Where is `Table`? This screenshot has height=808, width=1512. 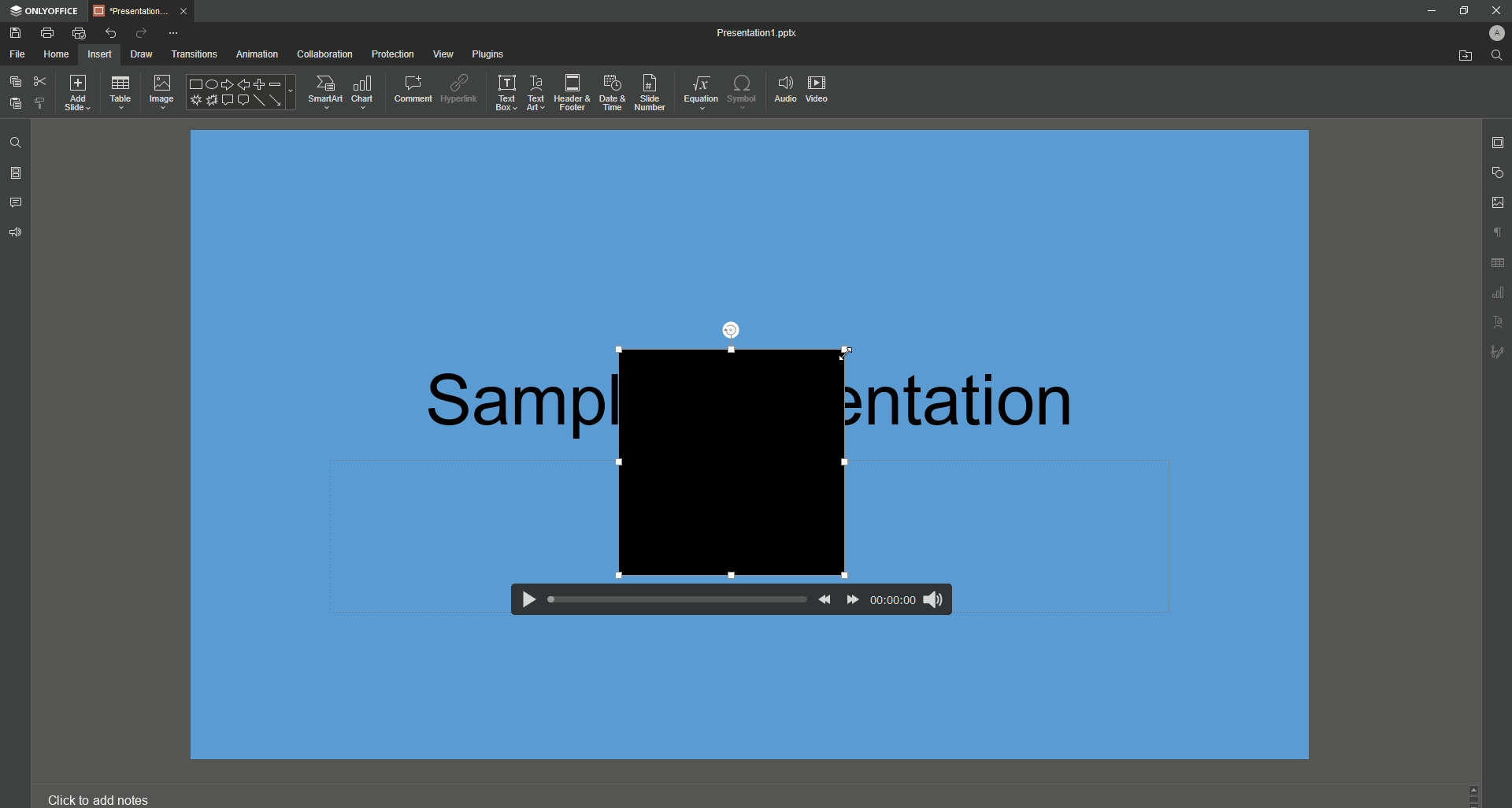
Table is located at coordinates (120, 93).